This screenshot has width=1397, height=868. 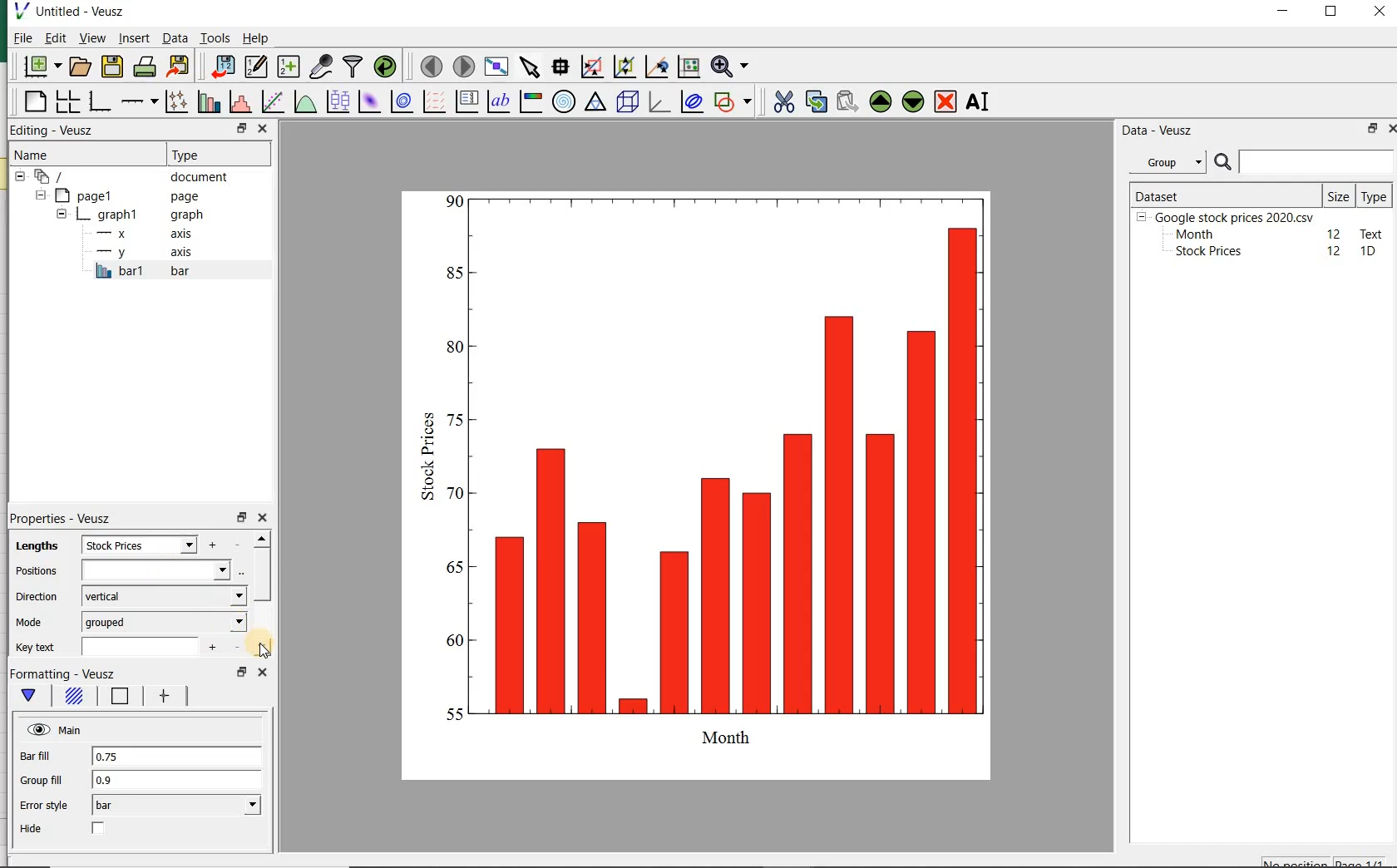 What do you see at coordinates (881, 101) in the screenshot?
I see `move the selected widget up` at bounding box center [881, 101].